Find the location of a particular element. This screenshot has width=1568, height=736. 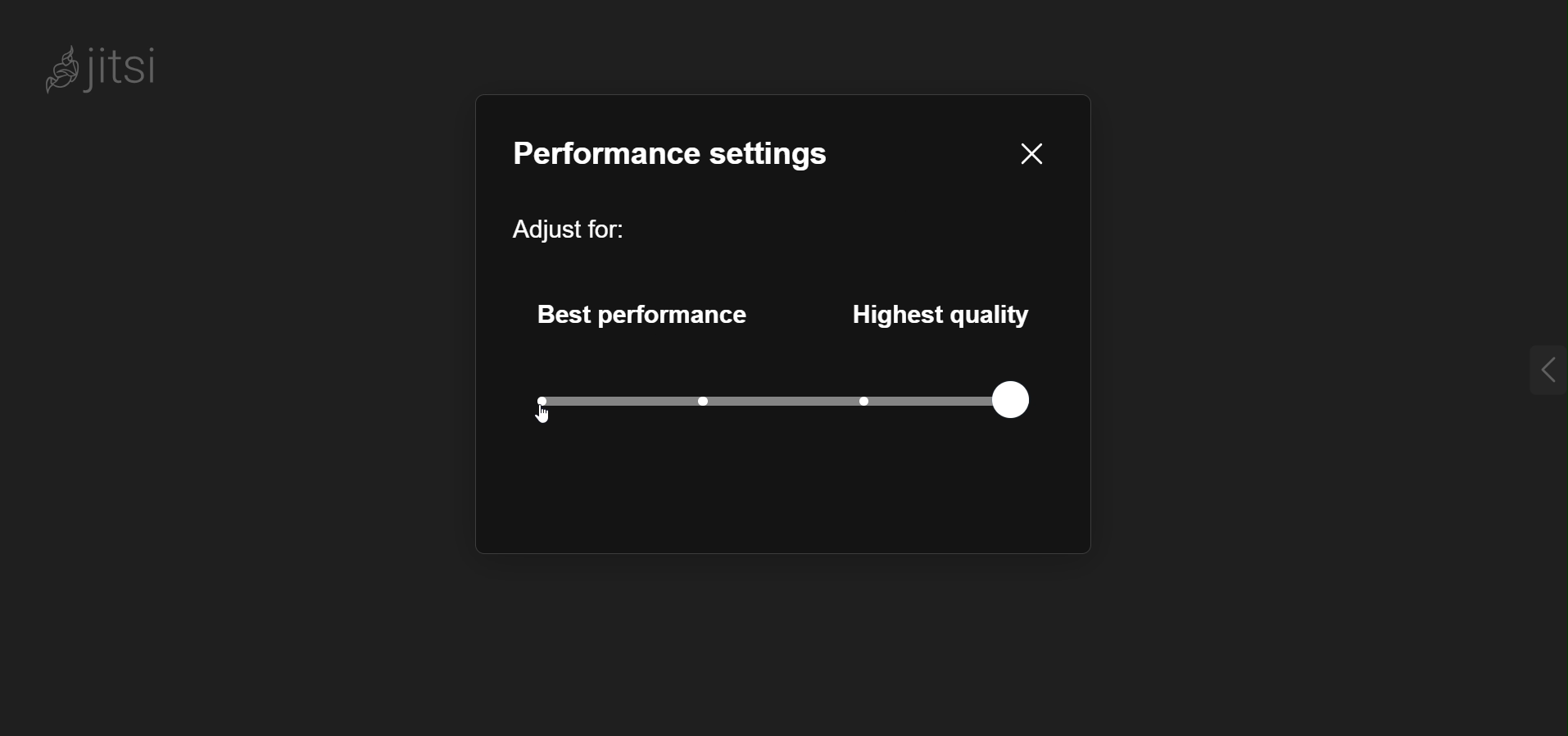

current quality is located at coordinates (1016, 400).